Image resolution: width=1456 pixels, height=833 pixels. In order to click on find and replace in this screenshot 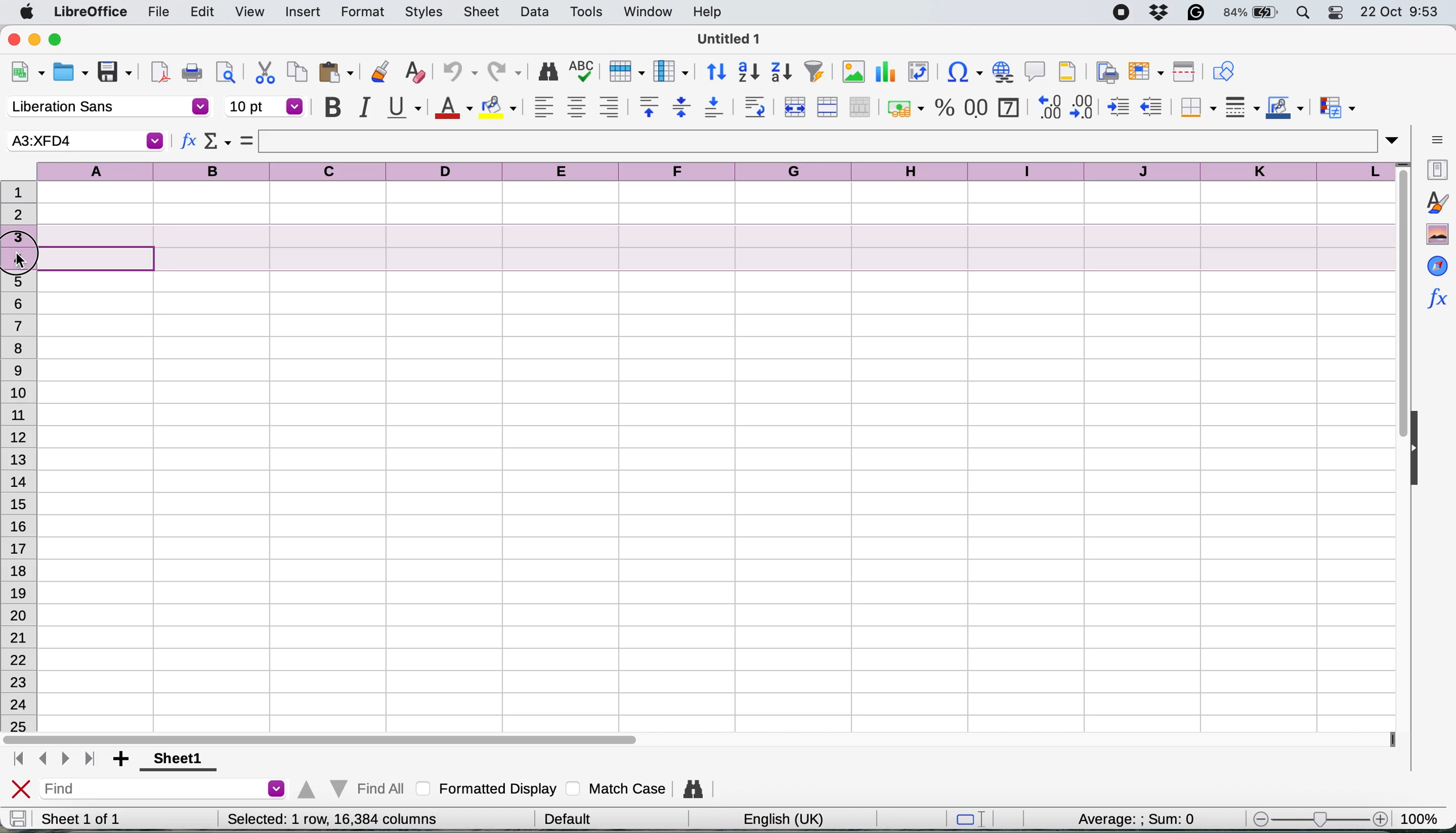, I will do `click(695, 789)`.